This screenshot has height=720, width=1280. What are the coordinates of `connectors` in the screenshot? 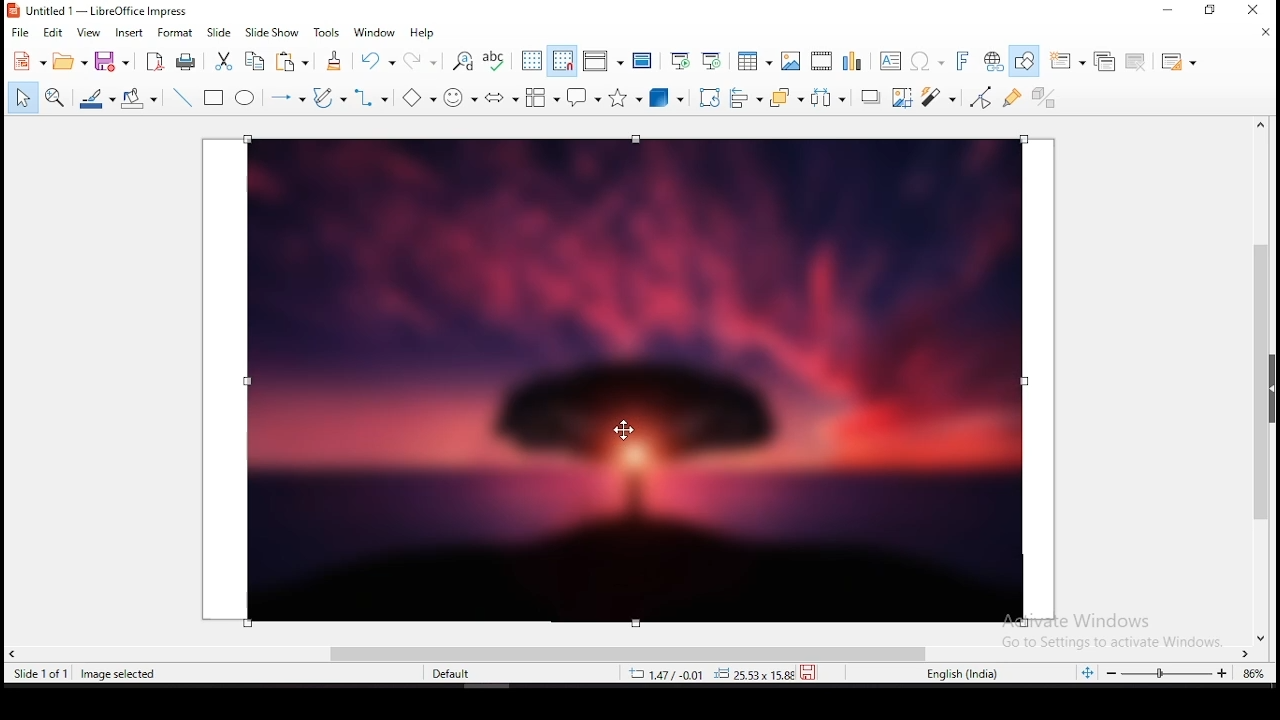 It's located at (372, 99).